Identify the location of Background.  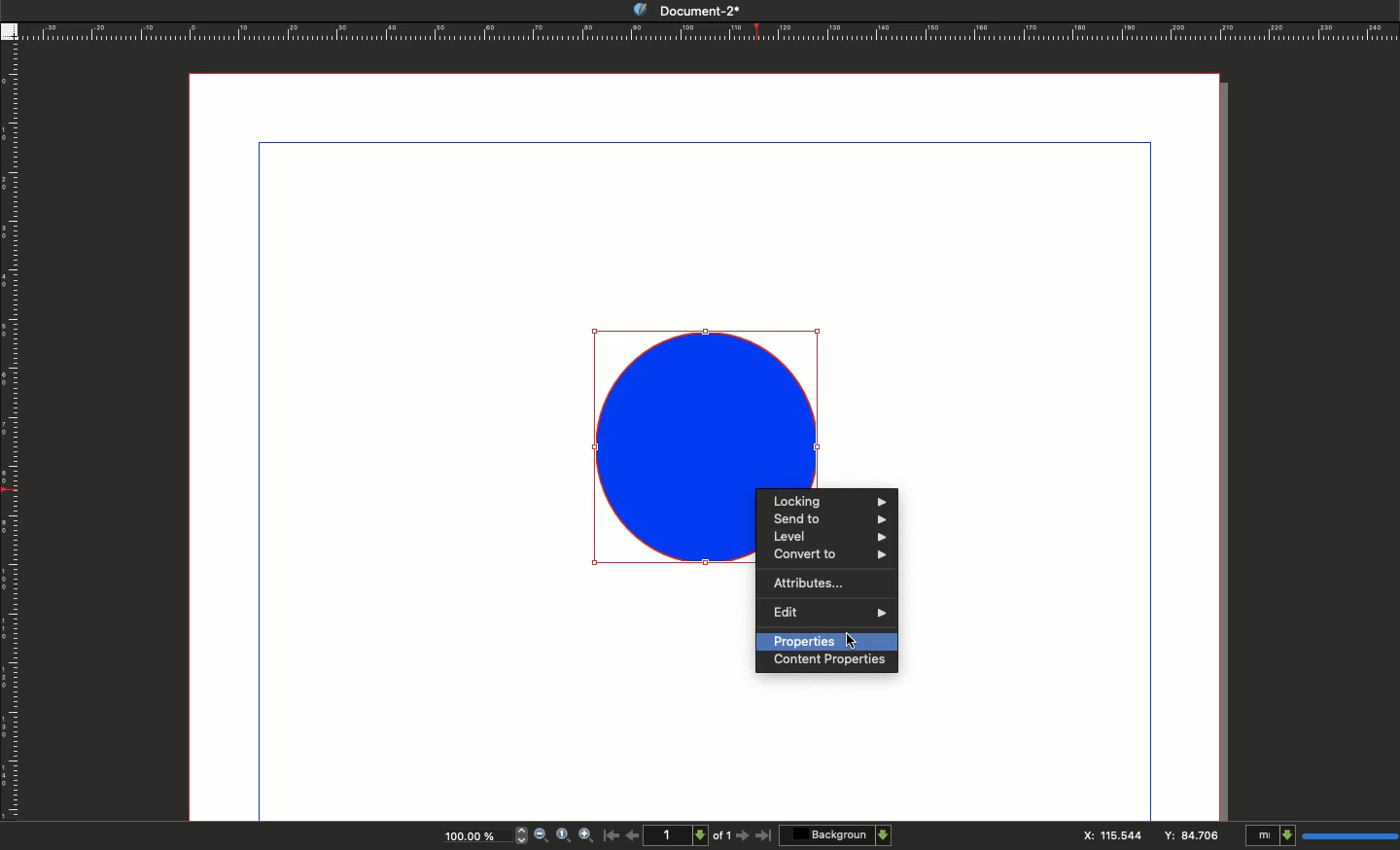
(837, 834).